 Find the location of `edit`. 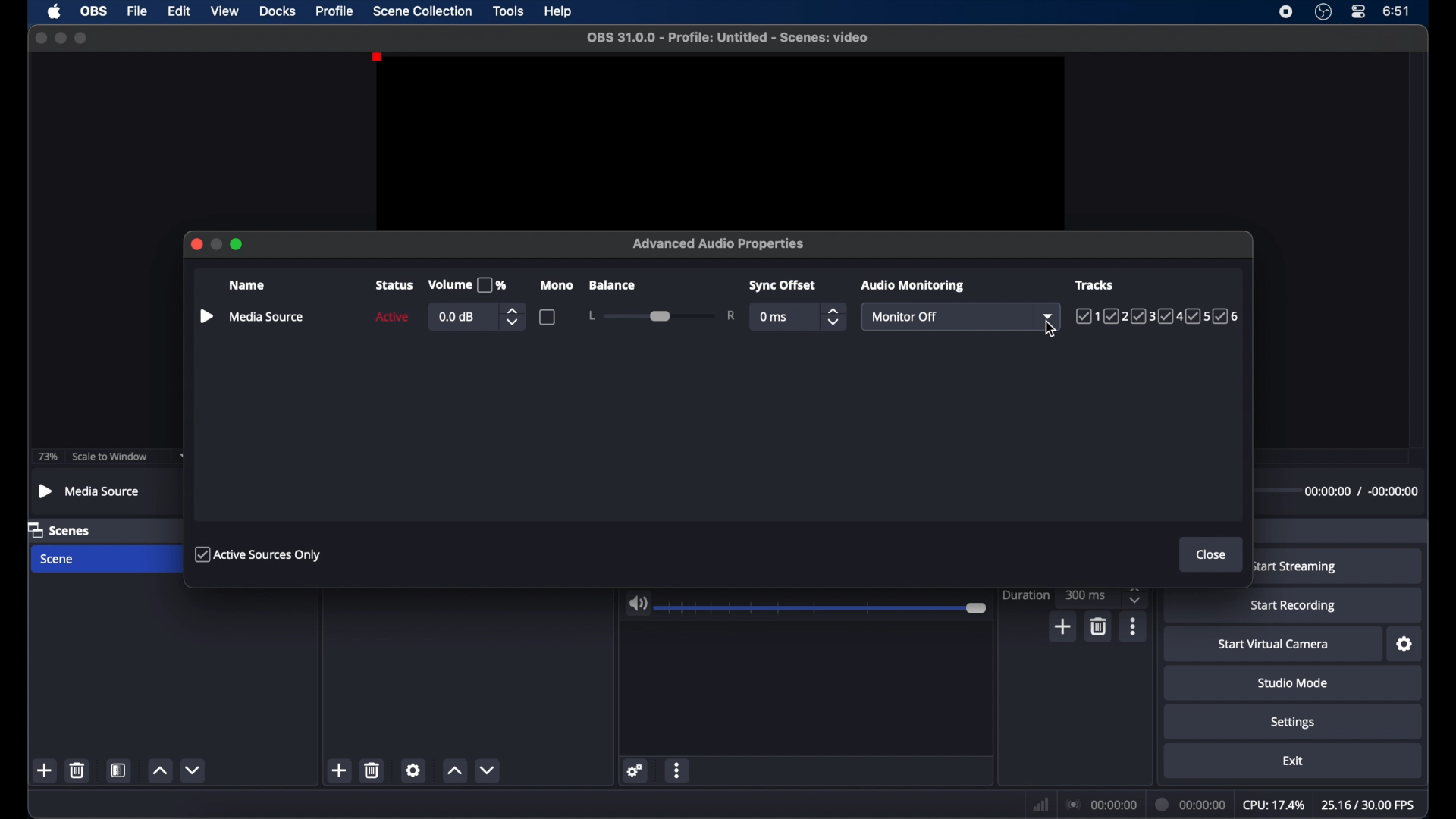

edit is located at coordinates (179, 12).